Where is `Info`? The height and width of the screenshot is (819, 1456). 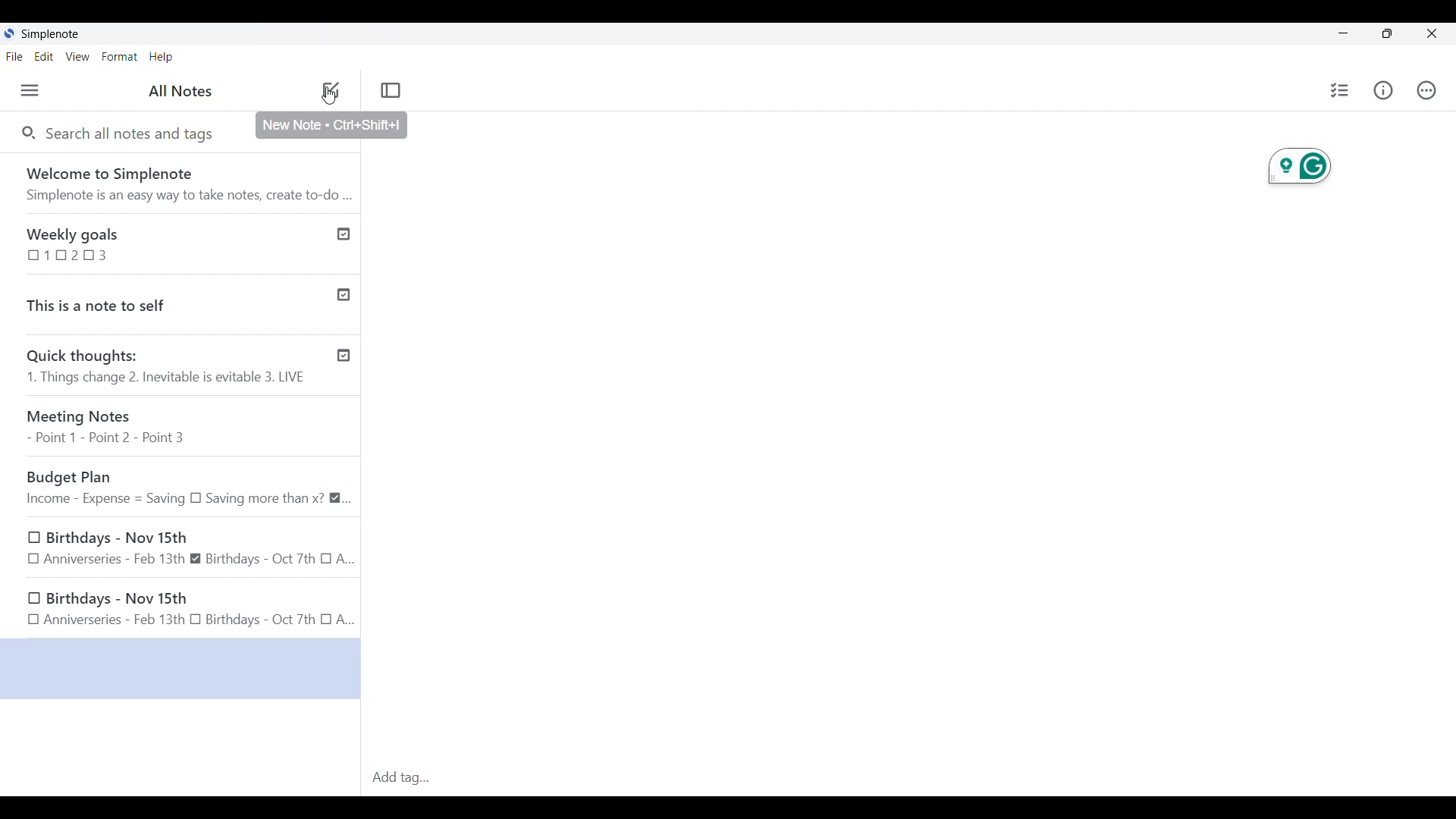 Info is located at coordinates (1383, 90).